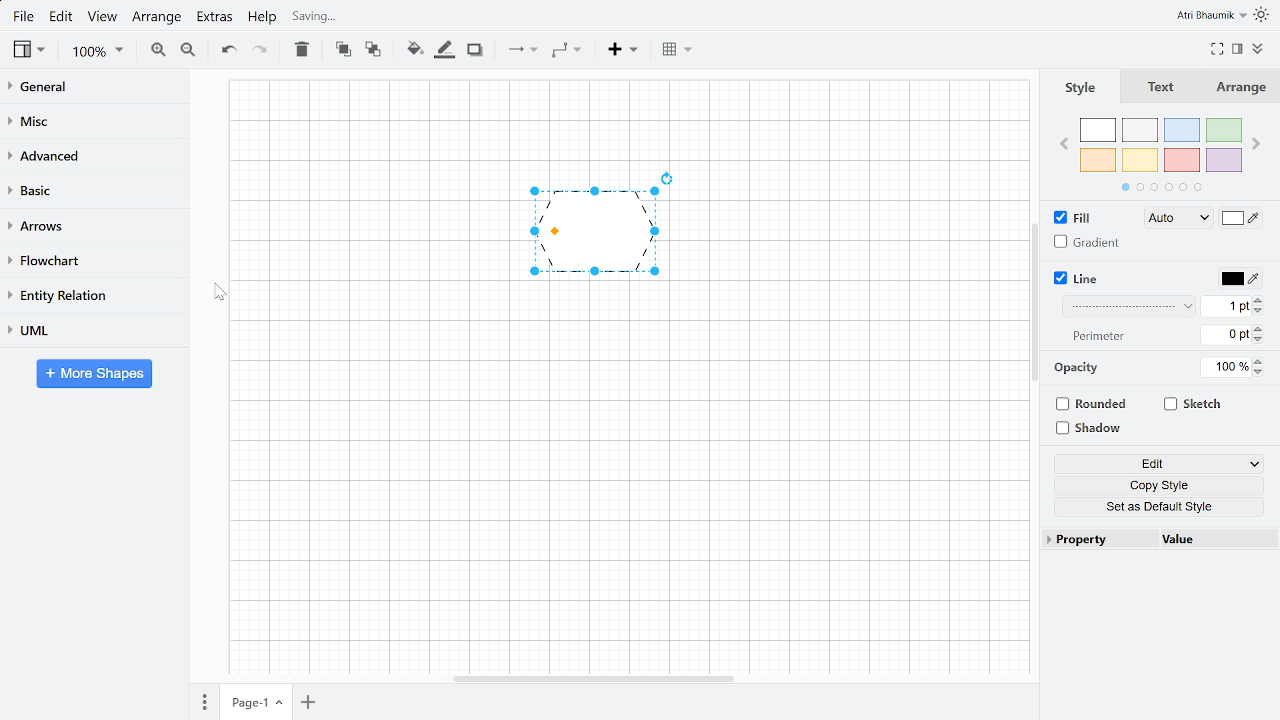  Describe the element at coordinates (1034, 302) in the screenshot. I see `` at that location.